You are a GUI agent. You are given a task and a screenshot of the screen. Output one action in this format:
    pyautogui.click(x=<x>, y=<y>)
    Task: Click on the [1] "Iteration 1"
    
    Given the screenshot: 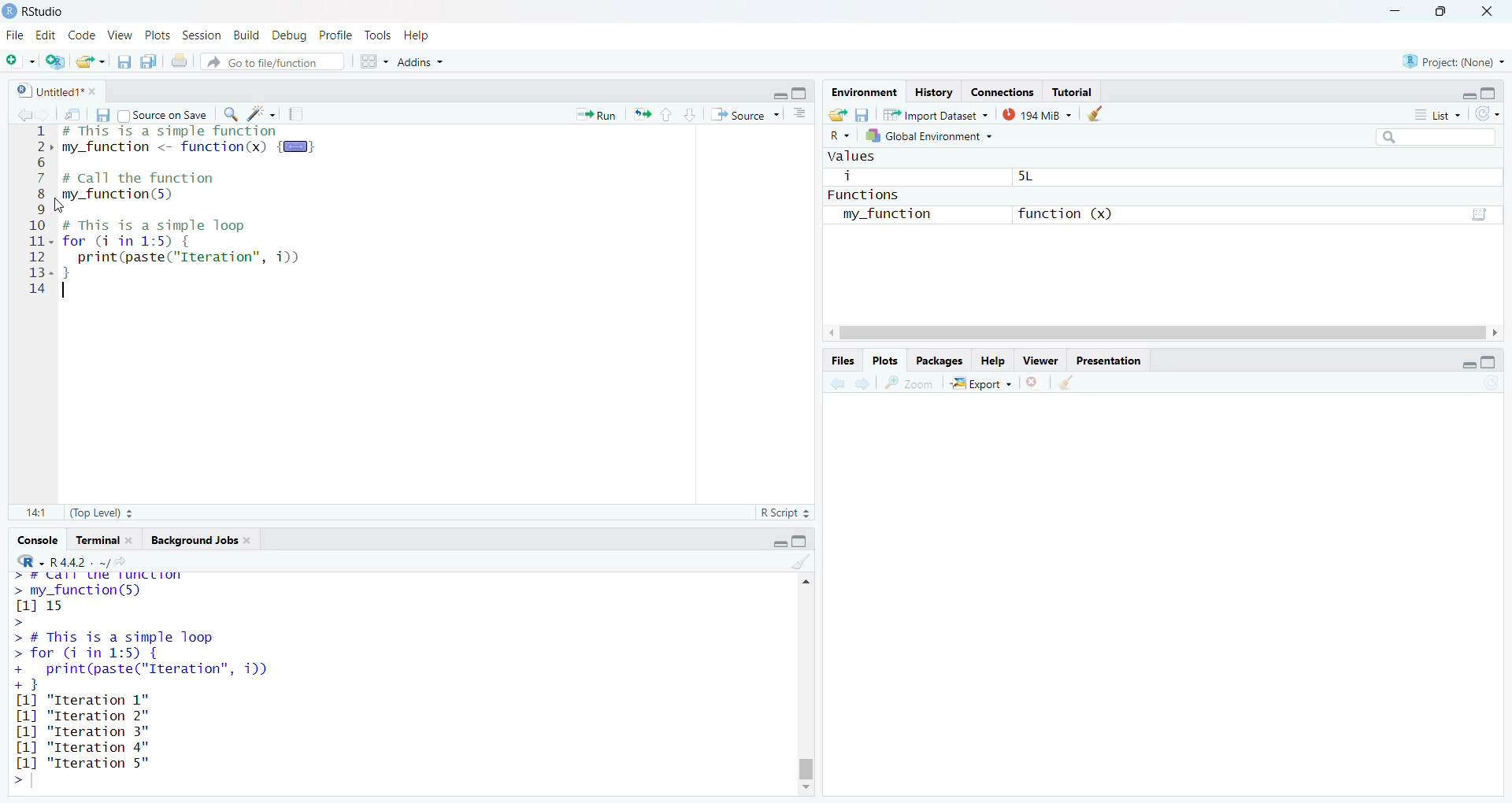 What is the action you would take?
    pyautogui.click(x=91, y=700)
    